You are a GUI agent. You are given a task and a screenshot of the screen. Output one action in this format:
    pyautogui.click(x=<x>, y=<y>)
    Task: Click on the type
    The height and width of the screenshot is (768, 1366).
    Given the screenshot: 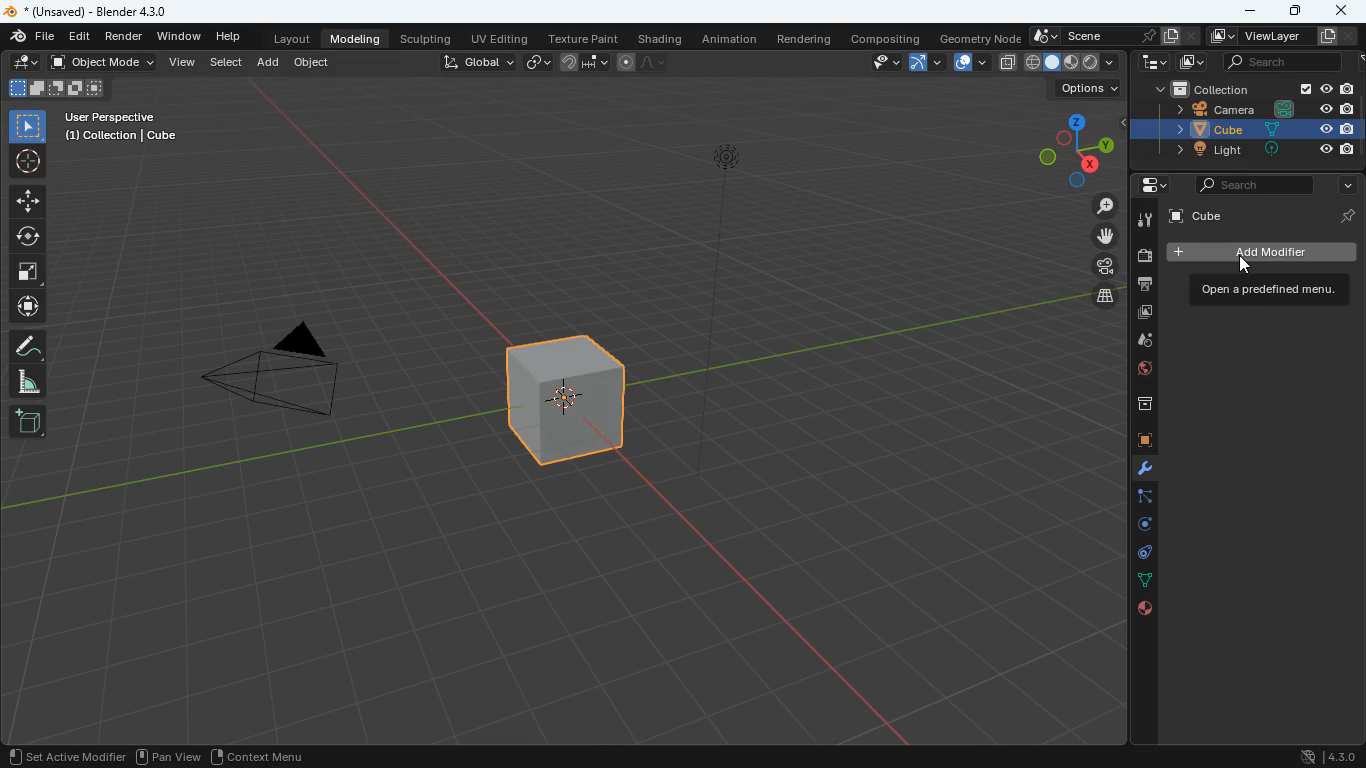 What is the action you would take?
    pyautogui.click(x=1071, y=62)
    